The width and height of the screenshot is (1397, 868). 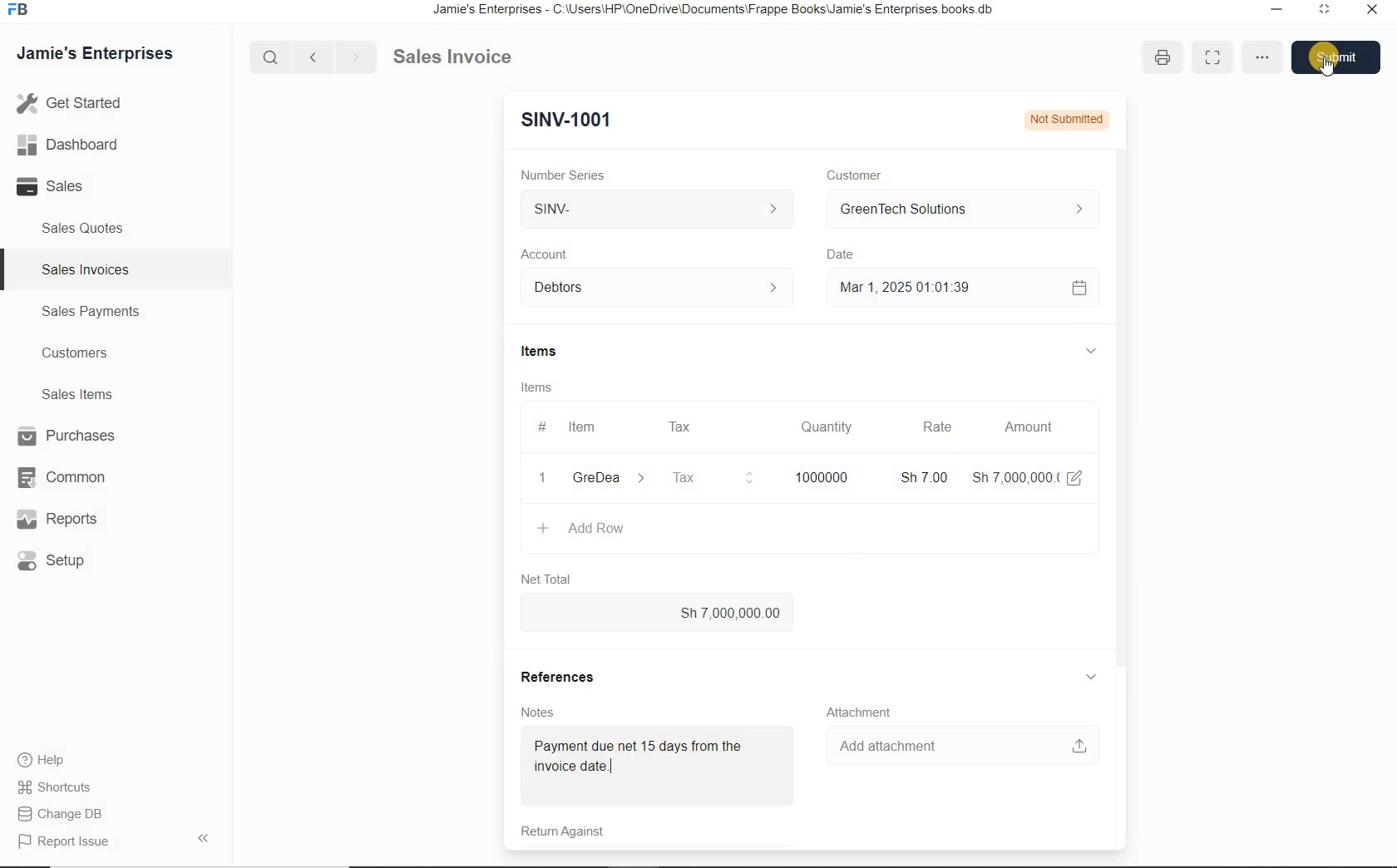 What do you see at coordinates (93, 54) in the screenshot?
I see `Jamie's Enterprises` at bounding box center [93, 54].